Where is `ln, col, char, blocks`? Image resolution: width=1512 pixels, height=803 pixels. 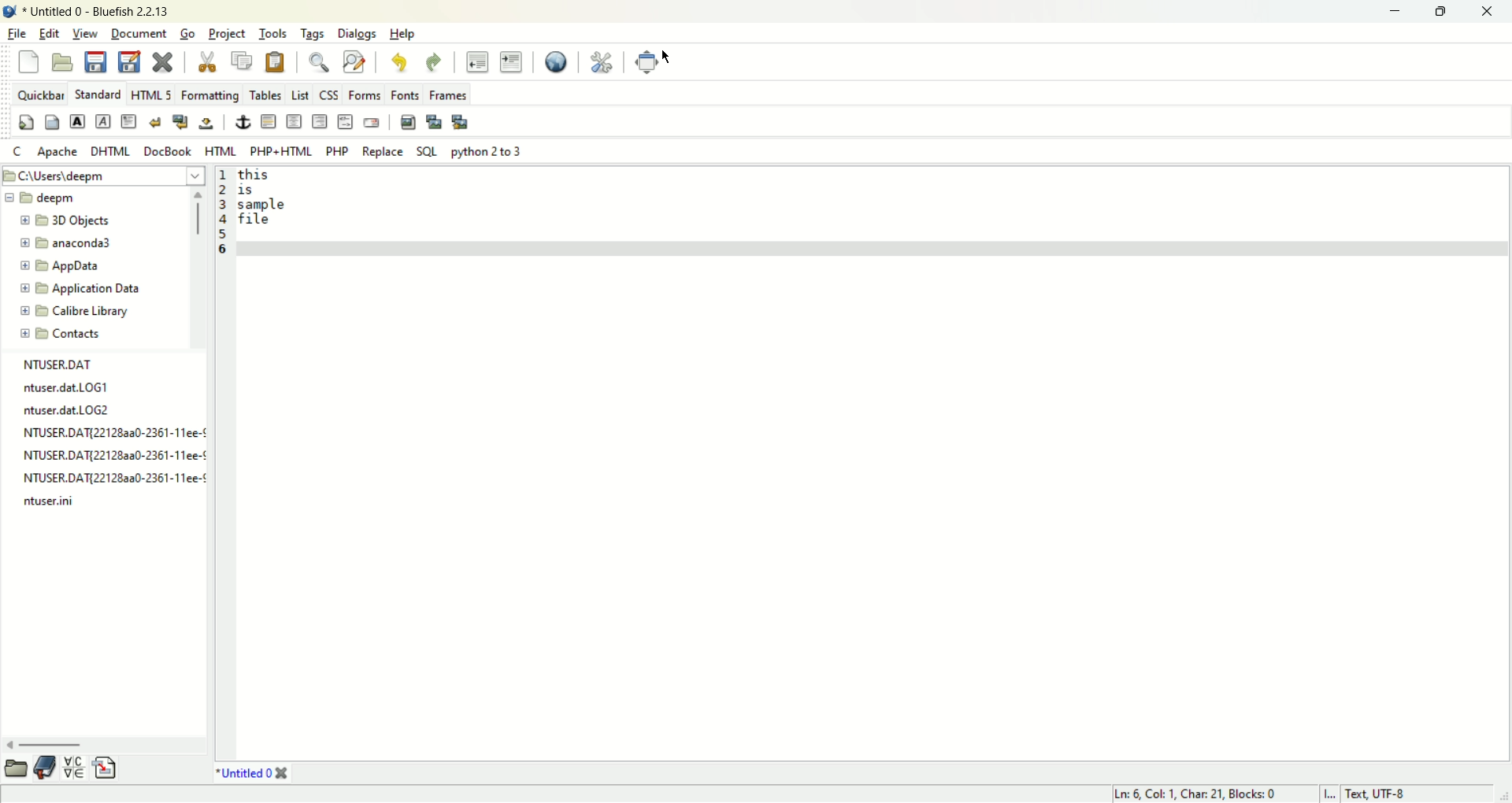
ln, col, char, blocks is located at coordinates (1190, 794).